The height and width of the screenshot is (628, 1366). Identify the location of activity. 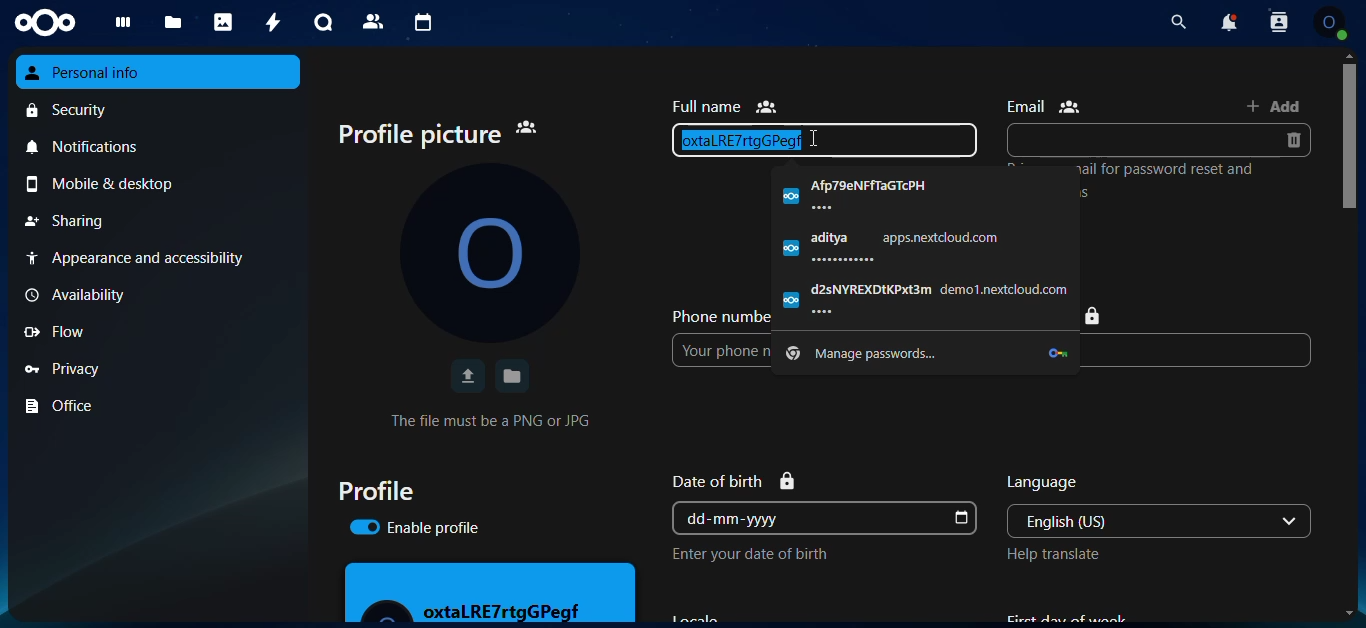
(269, 21).